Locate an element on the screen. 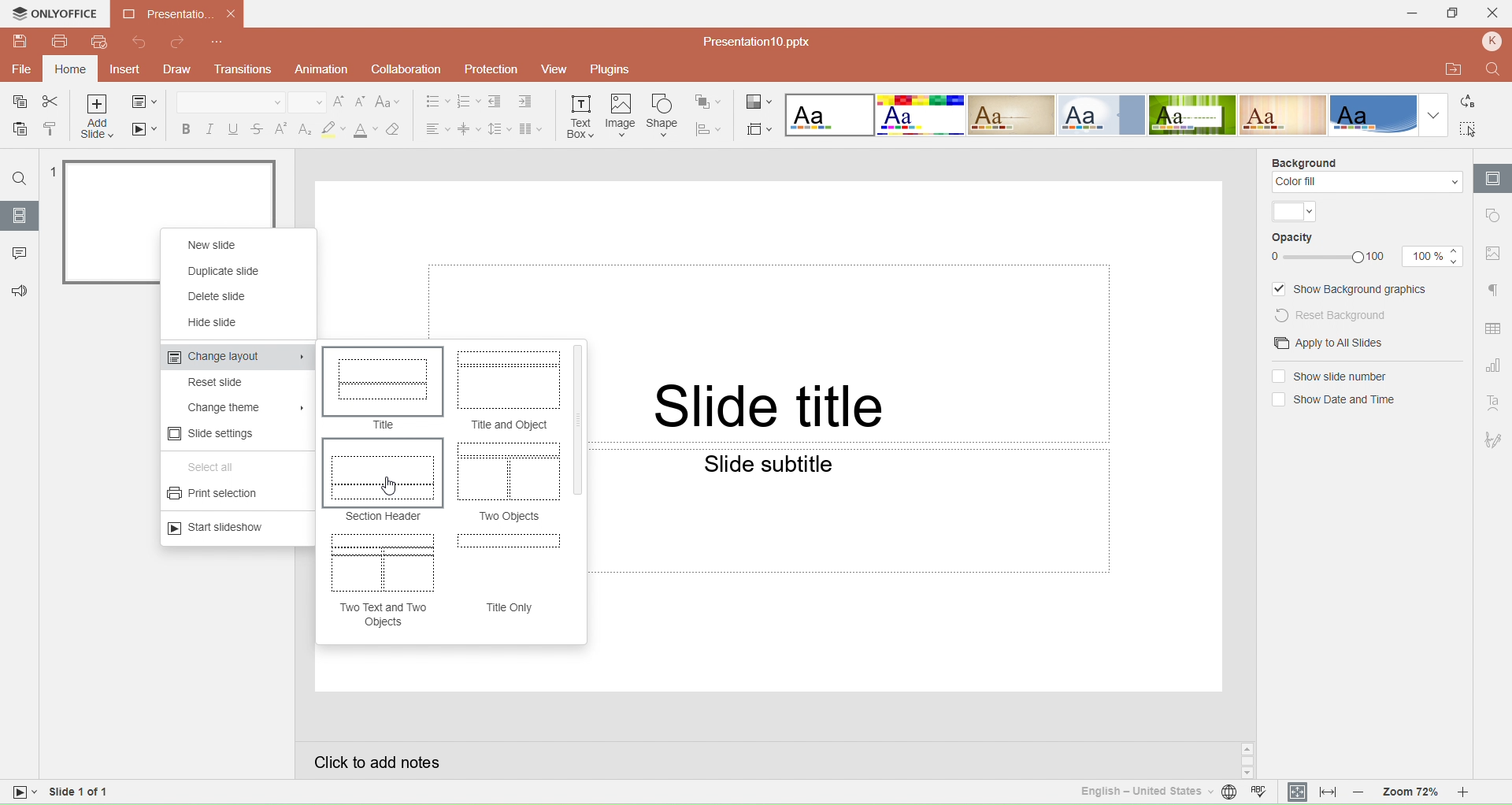 Image resolution: width=1512 pixels, height=805 pixels. Title and Object is located at coordinates (507, 425).